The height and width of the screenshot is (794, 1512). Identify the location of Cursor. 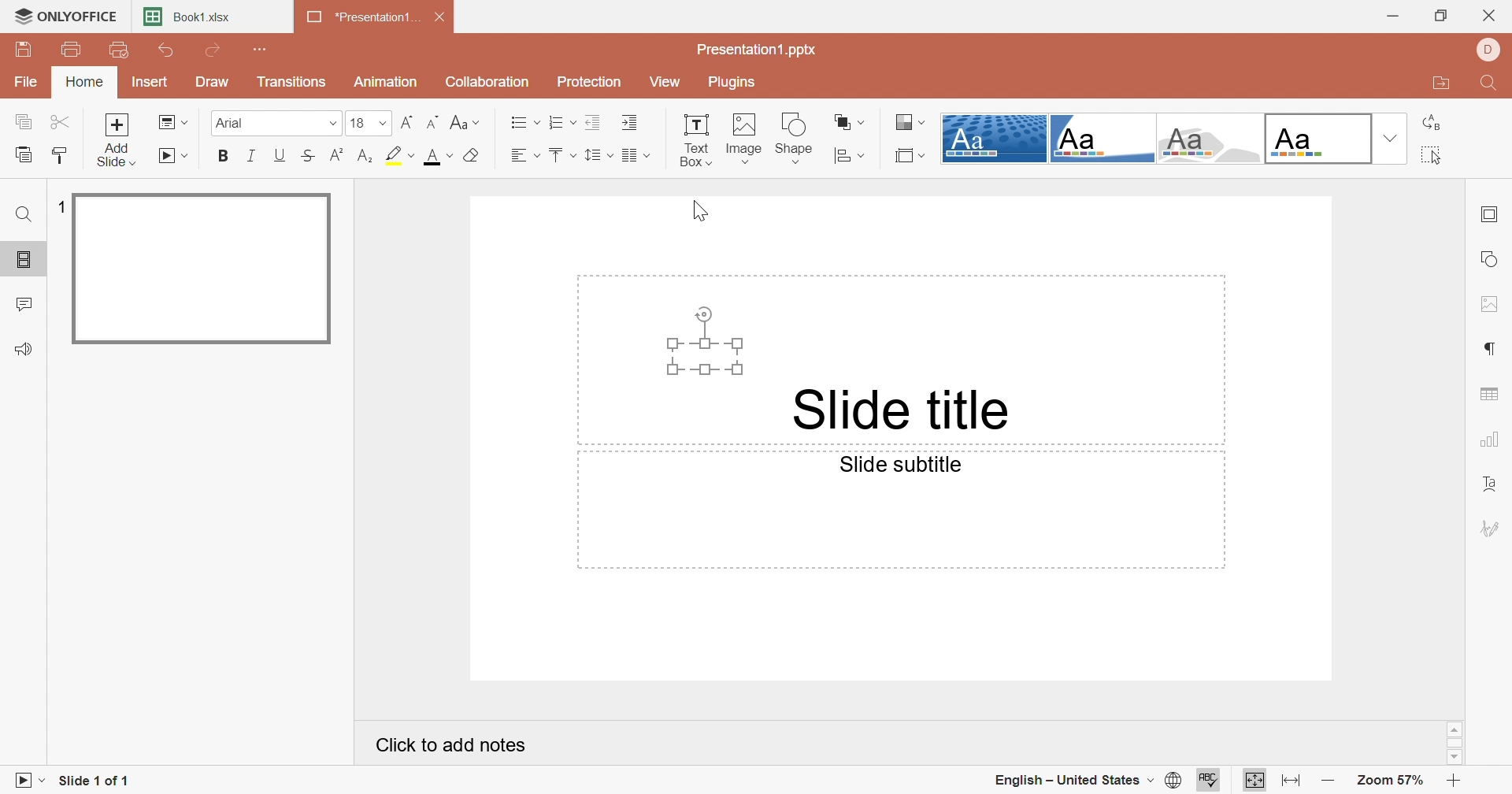
(702, 213).